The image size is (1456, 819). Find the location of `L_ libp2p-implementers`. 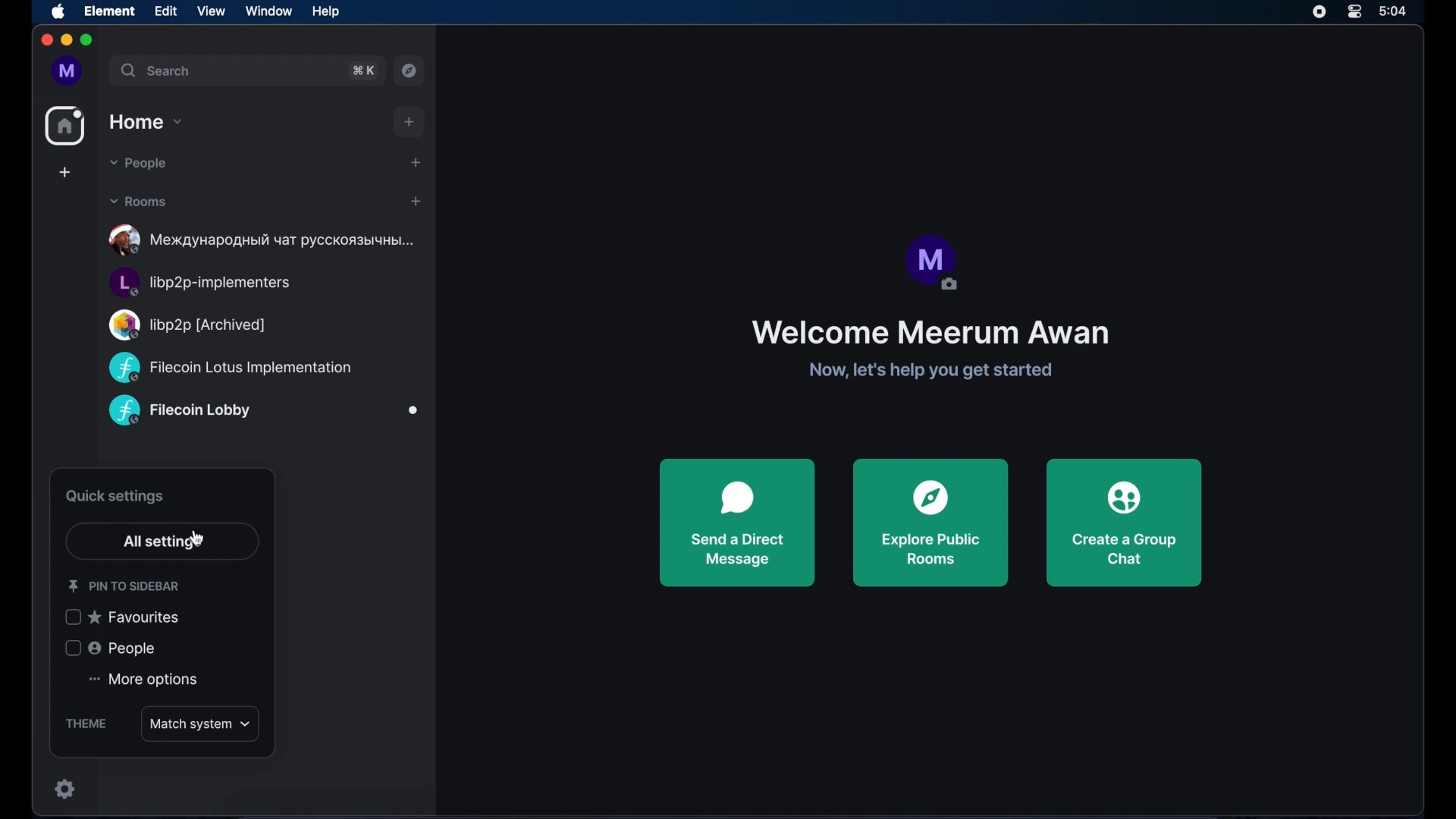

L_ libp2p-implementers is located at coordinates (207, 281).